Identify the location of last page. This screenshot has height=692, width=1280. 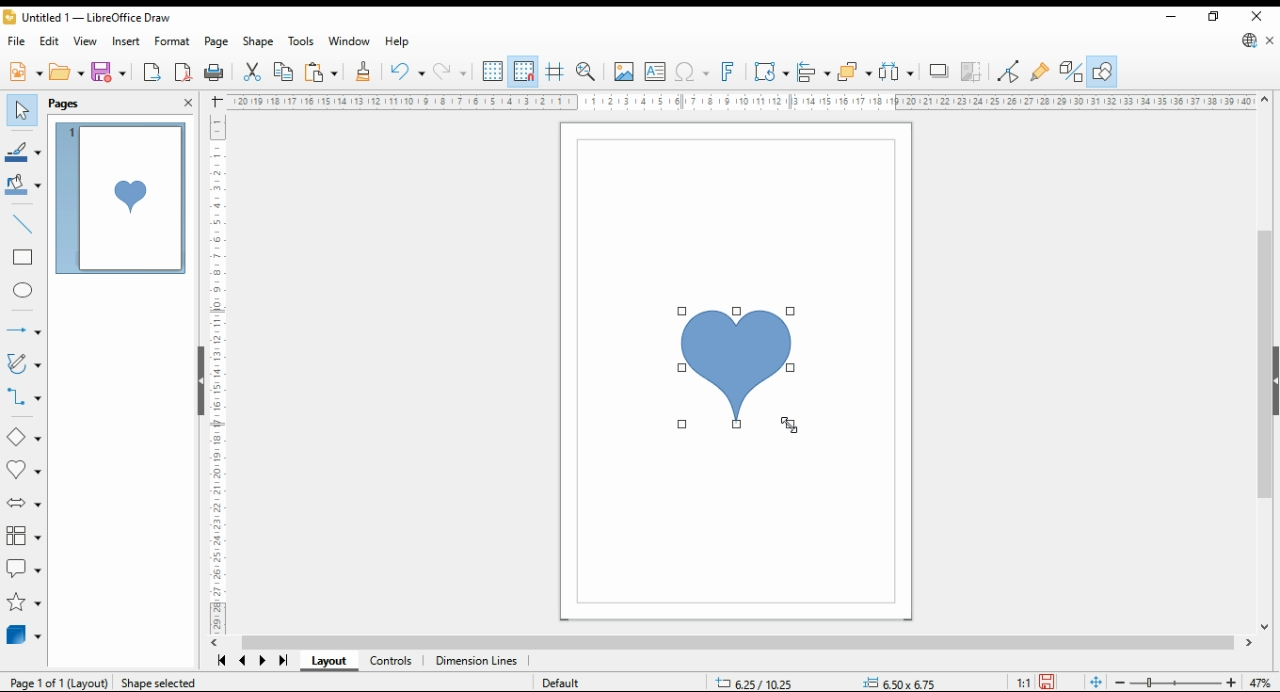
(282, 663).